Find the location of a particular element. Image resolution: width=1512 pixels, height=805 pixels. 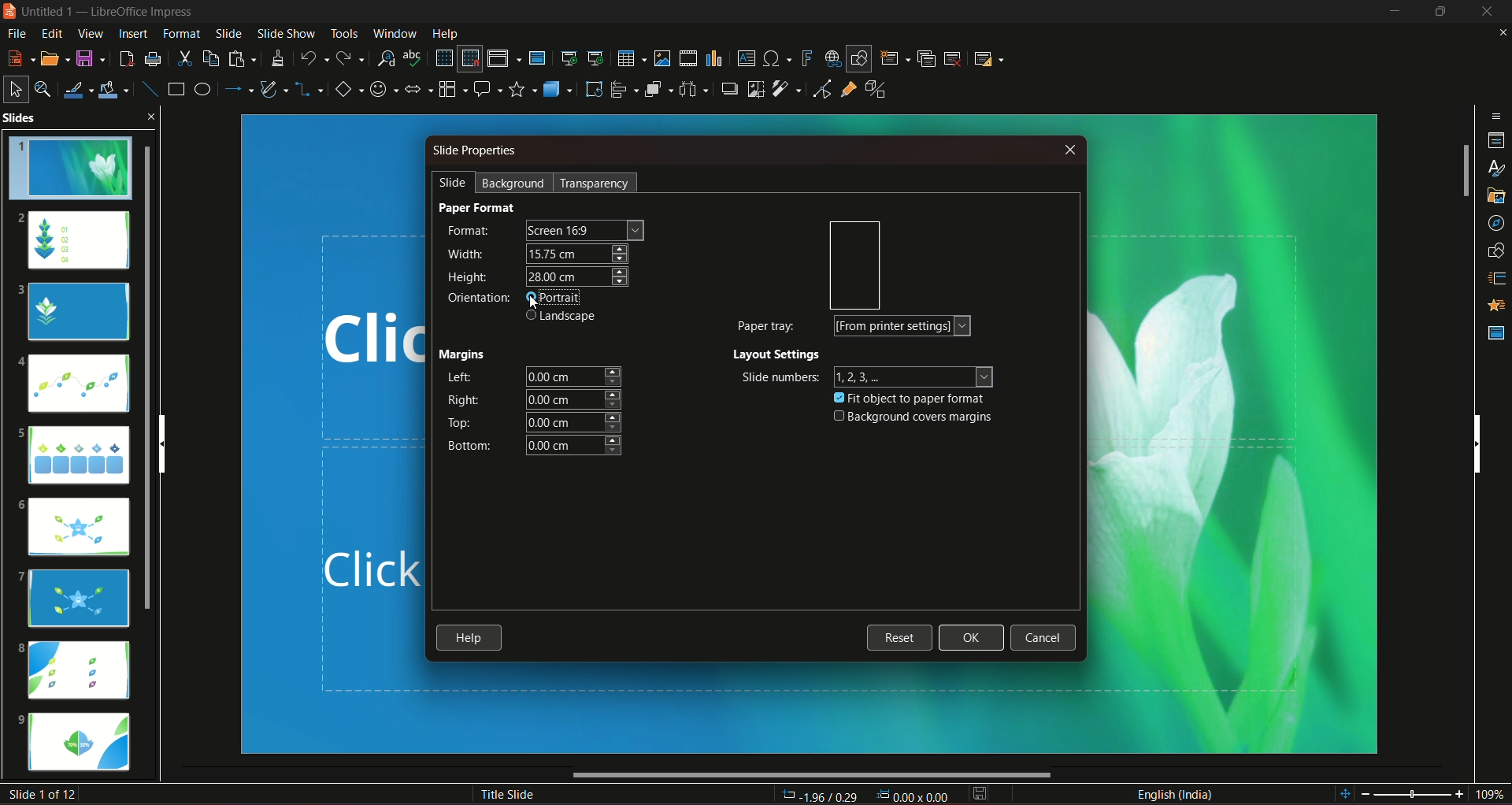

slide properties is located at coordinates (476, 153).